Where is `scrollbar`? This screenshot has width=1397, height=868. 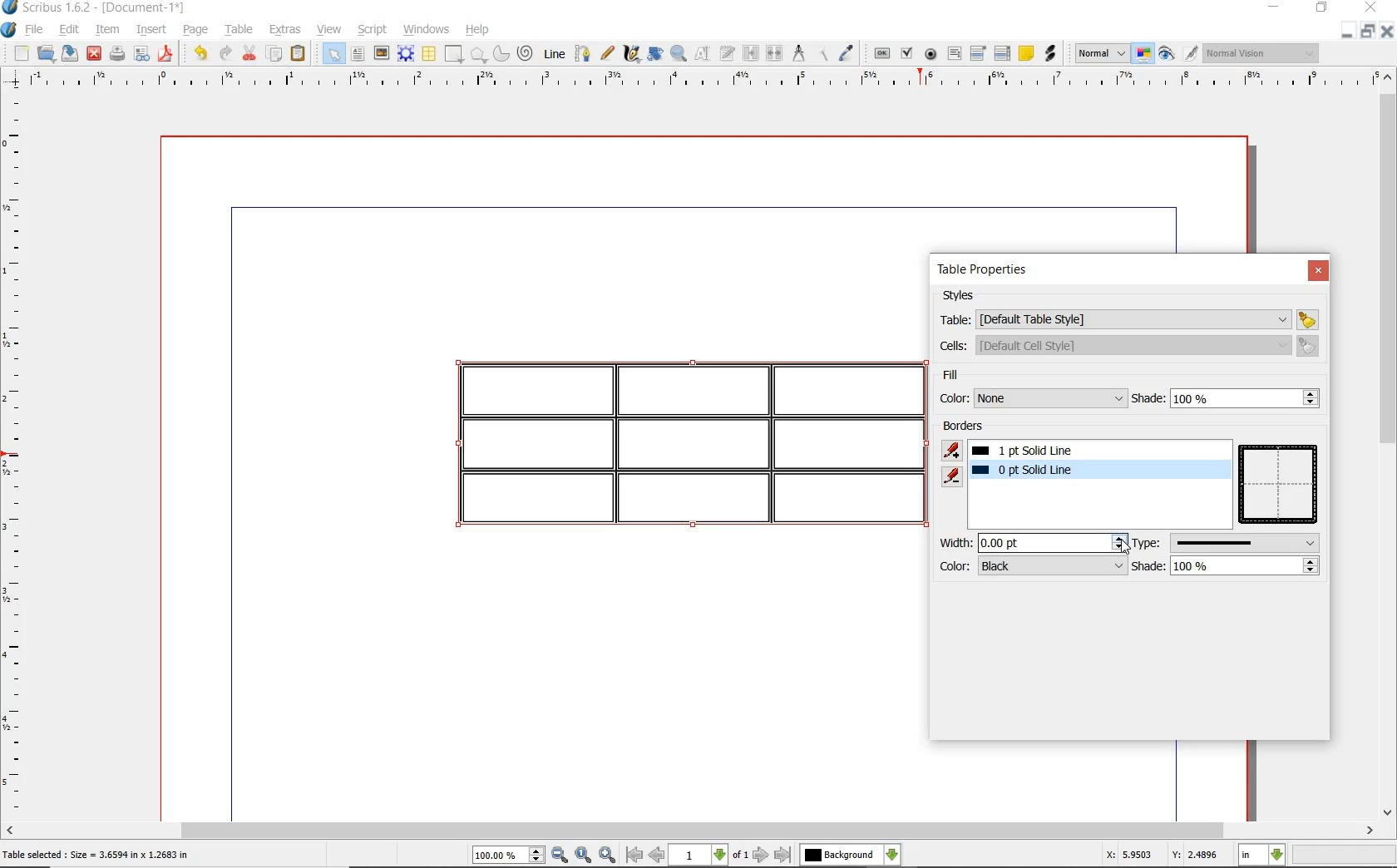 scrollbar is located at coordinates (698, 831).